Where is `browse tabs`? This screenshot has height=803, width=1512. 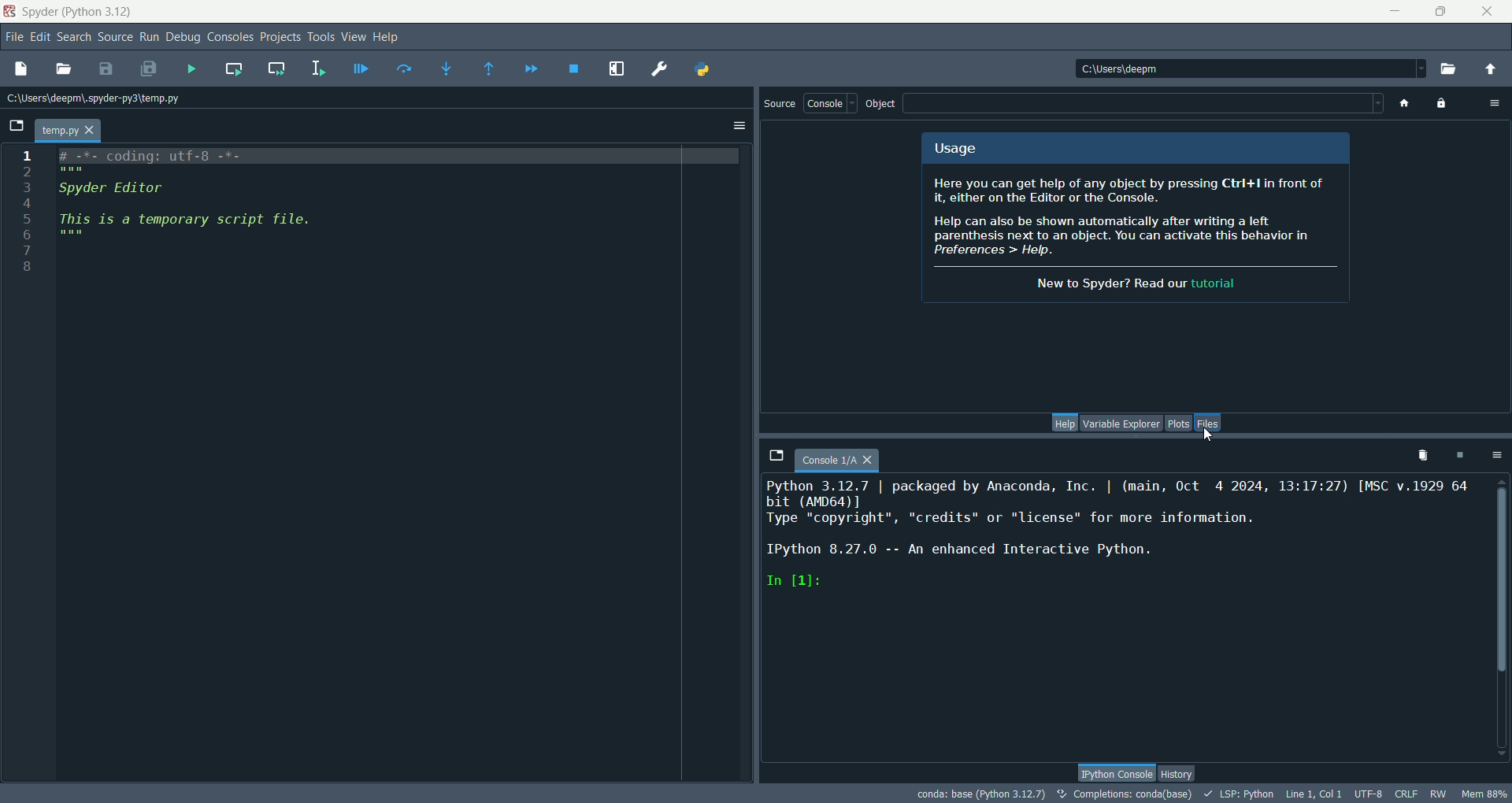 browse tabs is located at coordinates (15, 124).